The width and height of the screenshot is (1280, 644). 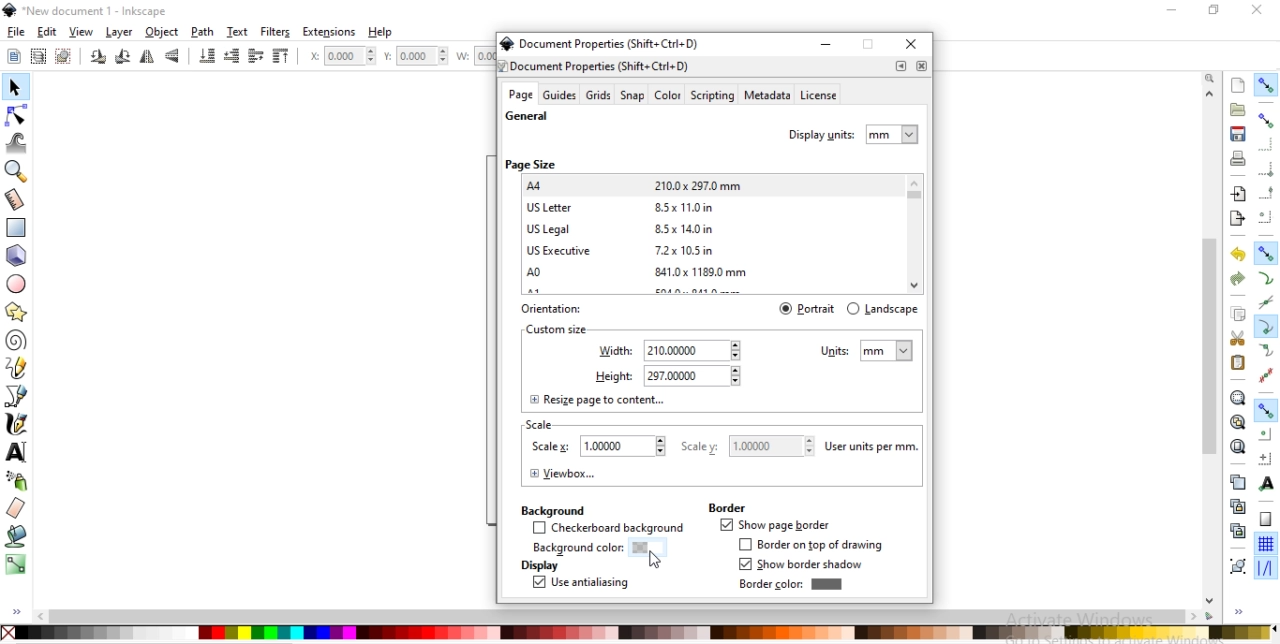 I want to click on minimize, so click(x=1169, y=8).